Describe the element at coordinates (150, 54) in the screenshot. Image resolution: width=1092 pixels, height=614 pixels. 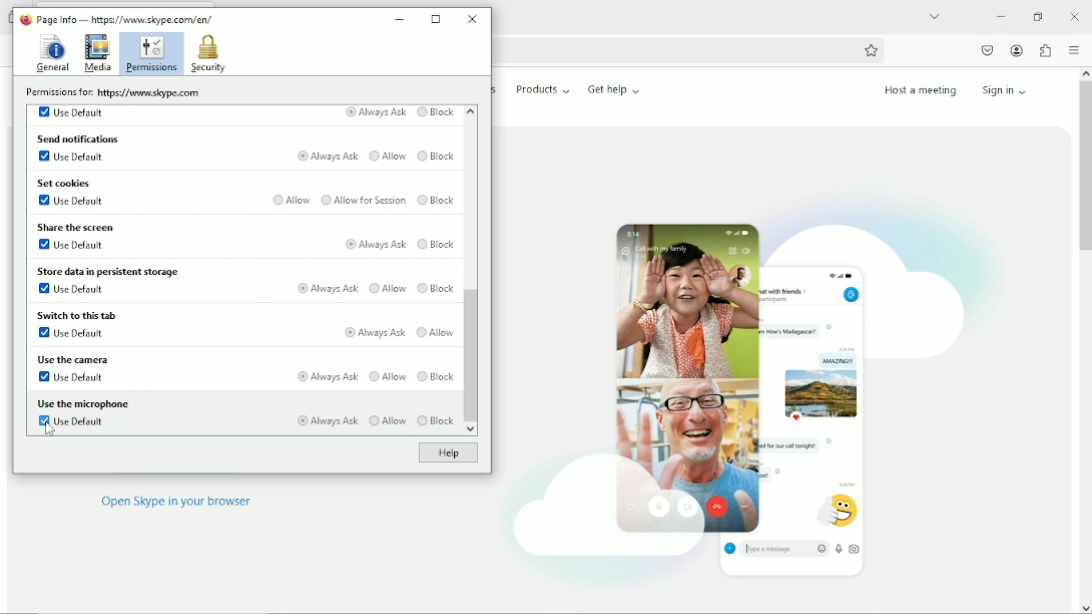
I see `Permissions` at that location.